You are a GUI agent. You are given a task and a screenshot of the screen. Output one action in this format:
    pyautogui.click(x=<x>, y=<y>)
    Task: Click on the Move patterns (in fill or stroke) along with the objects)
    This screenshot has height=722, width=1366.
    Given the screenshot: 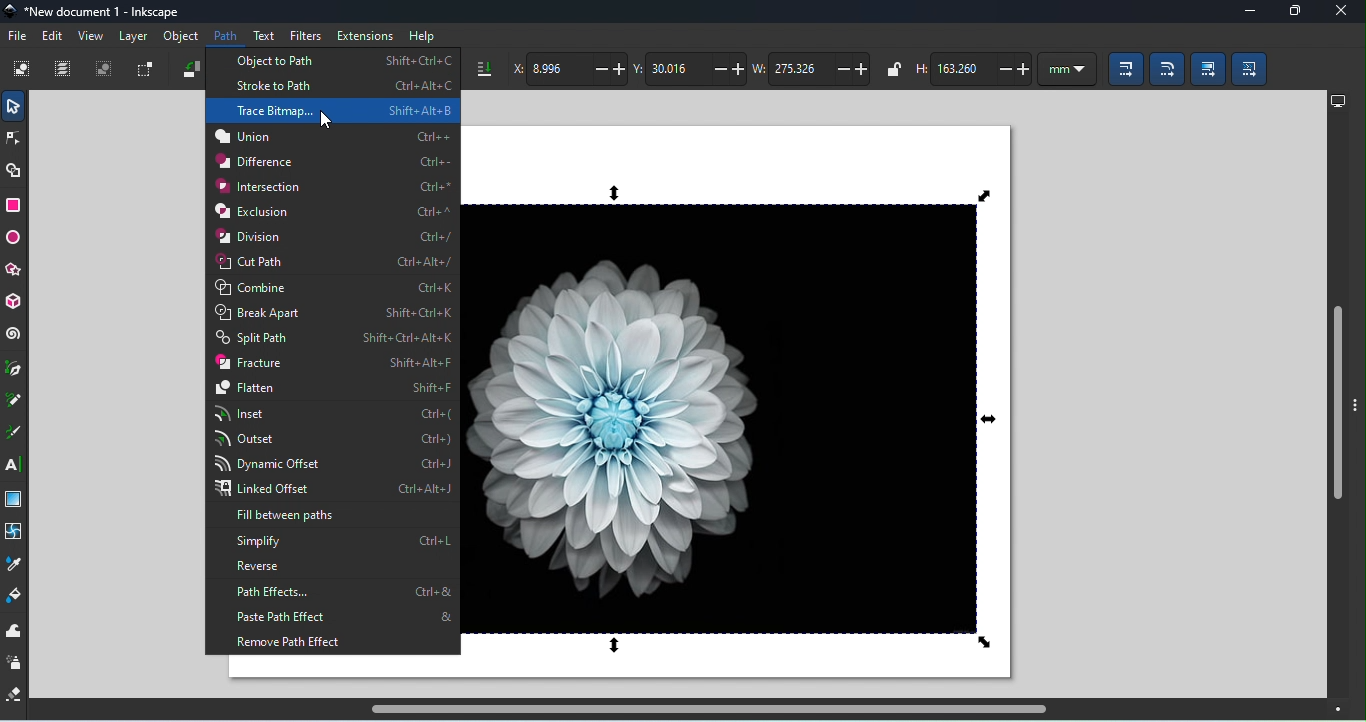 What is the action you would take?
    pyautogui.click(x=1252, y=70)
    